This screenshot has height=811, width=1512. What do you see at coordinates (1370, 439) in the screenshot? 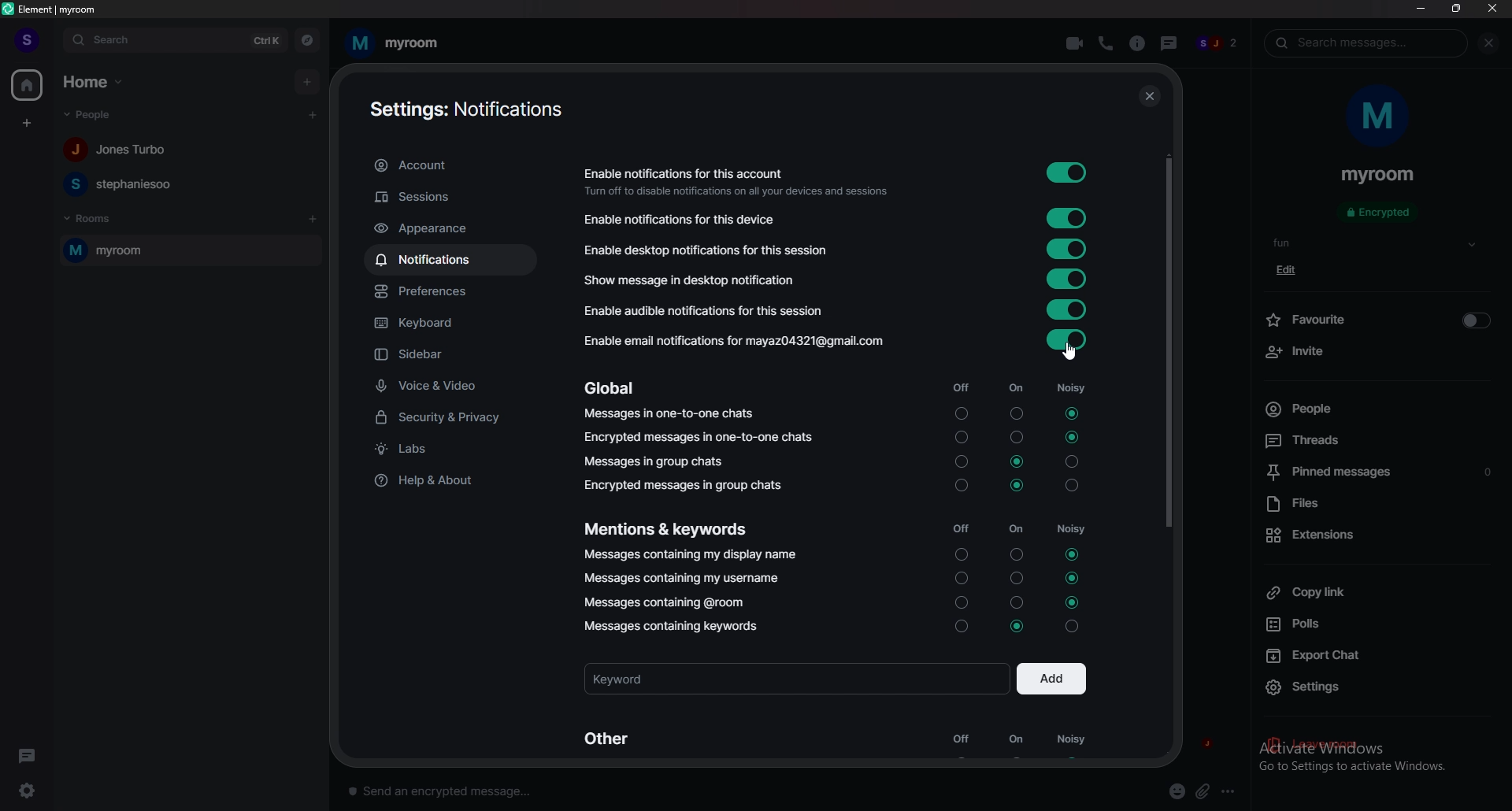
I see `threads` at bounding box center [1370, 439].